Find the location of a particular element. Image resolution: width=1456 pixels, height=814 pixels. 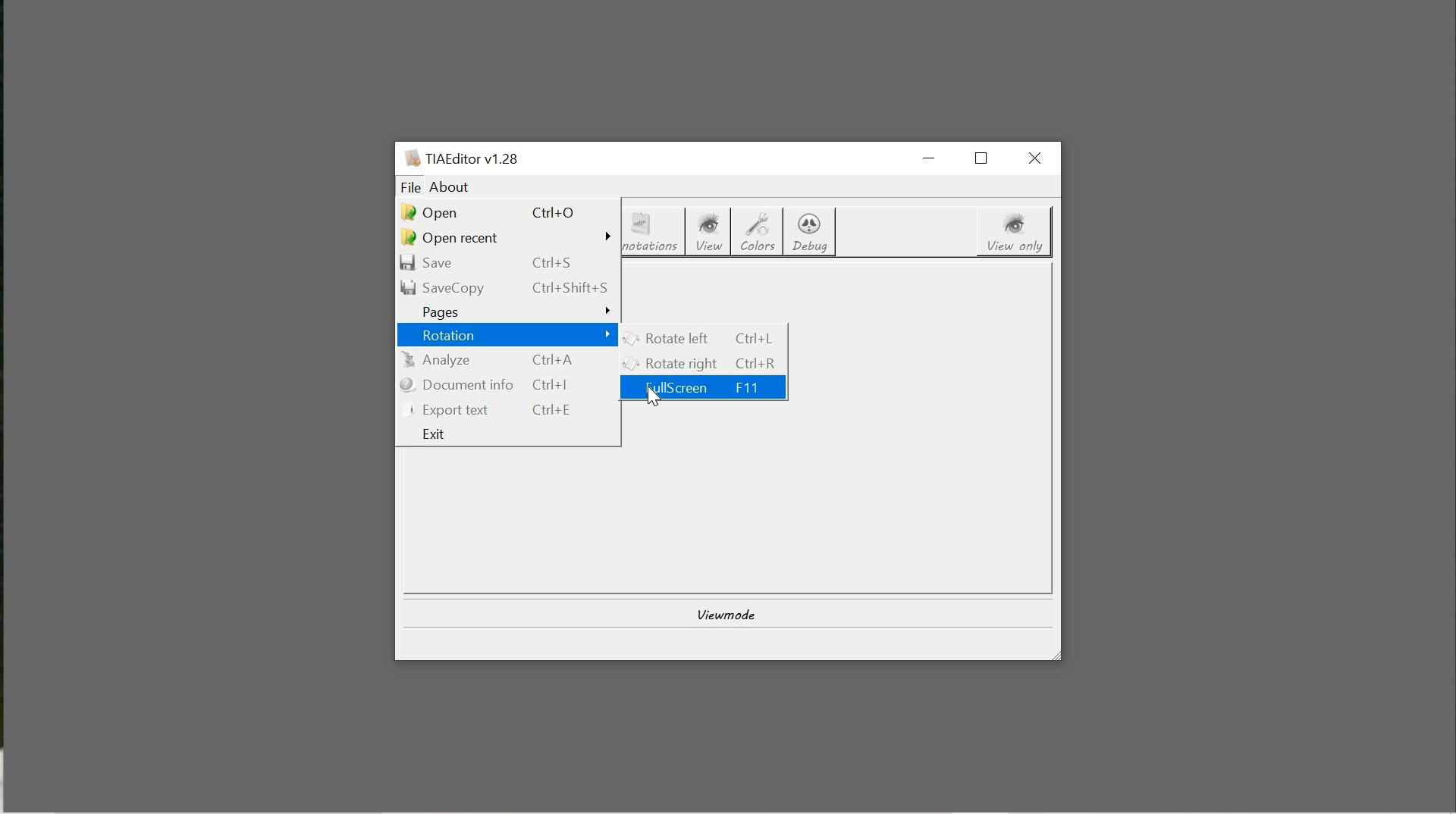

savecopy is located at coordinates (507, 287).